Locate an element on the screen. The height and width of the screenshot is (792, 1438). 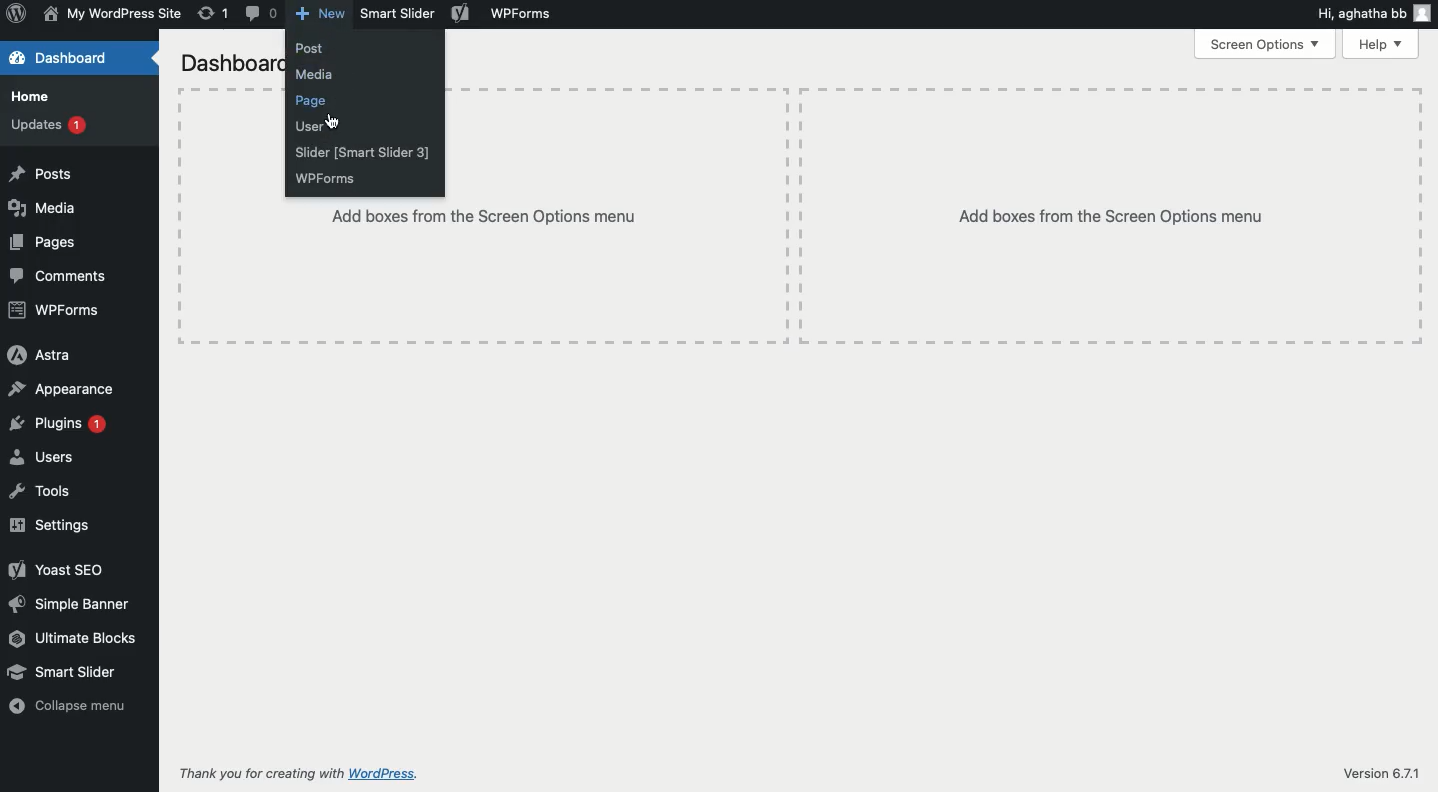
Posts is located at coordinates (38, 175).